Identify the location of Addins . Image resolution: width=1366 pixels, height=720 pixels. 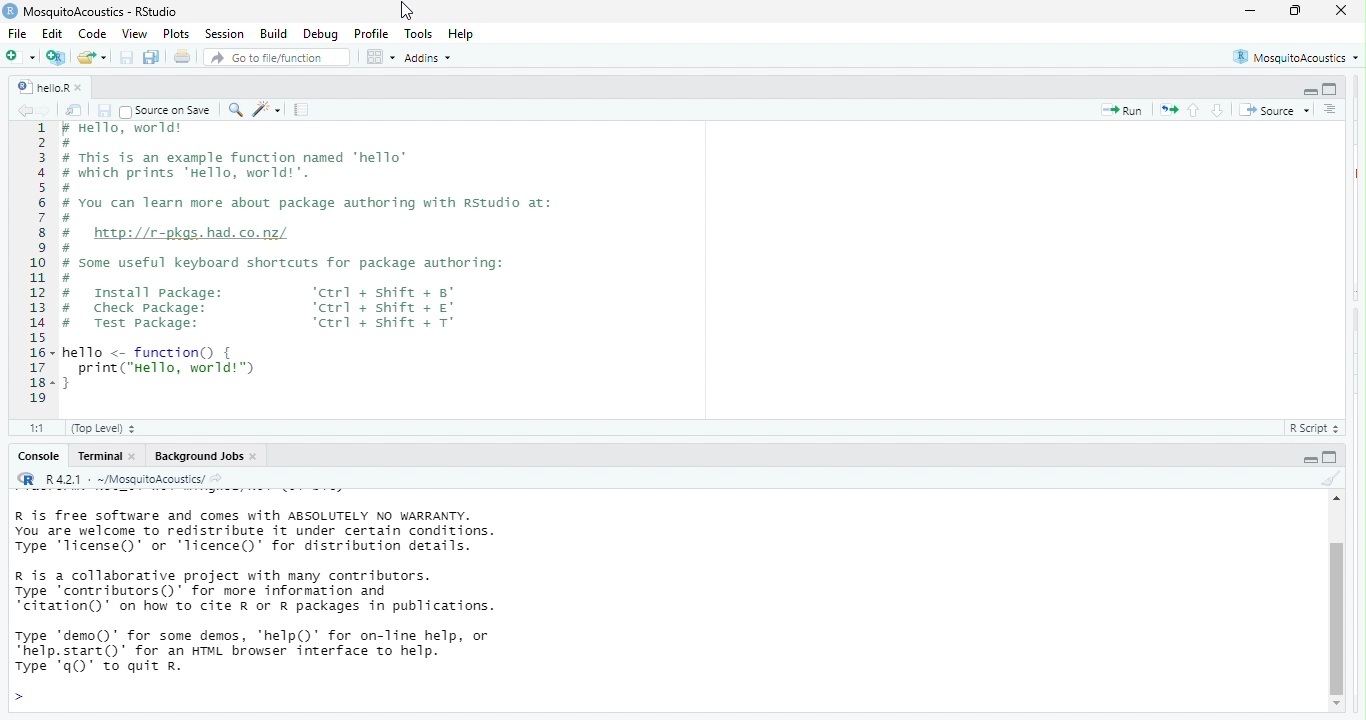
(434, 59).